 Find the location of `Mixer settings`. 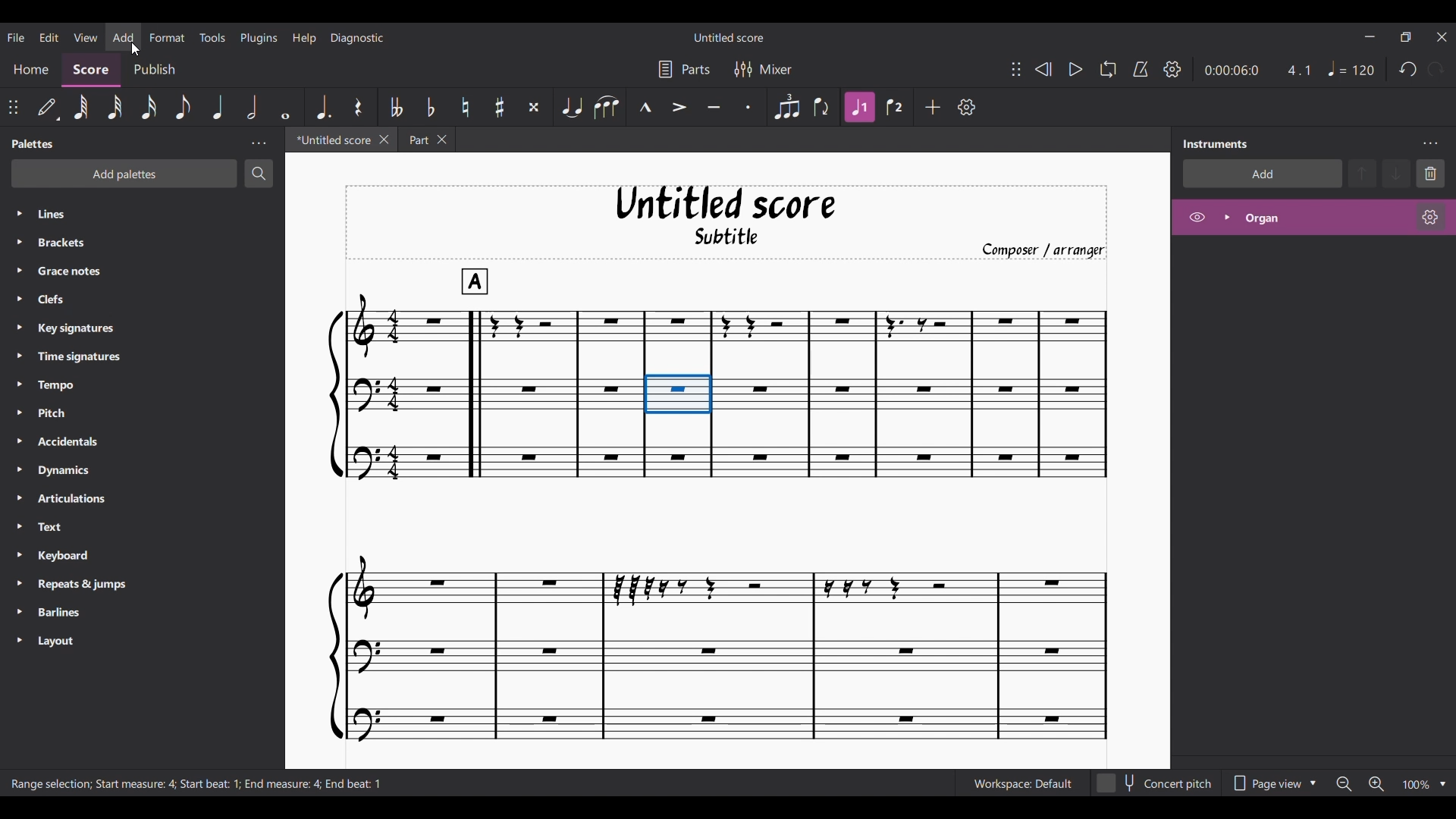

Mixer settings is located at coordinates (763, 70).